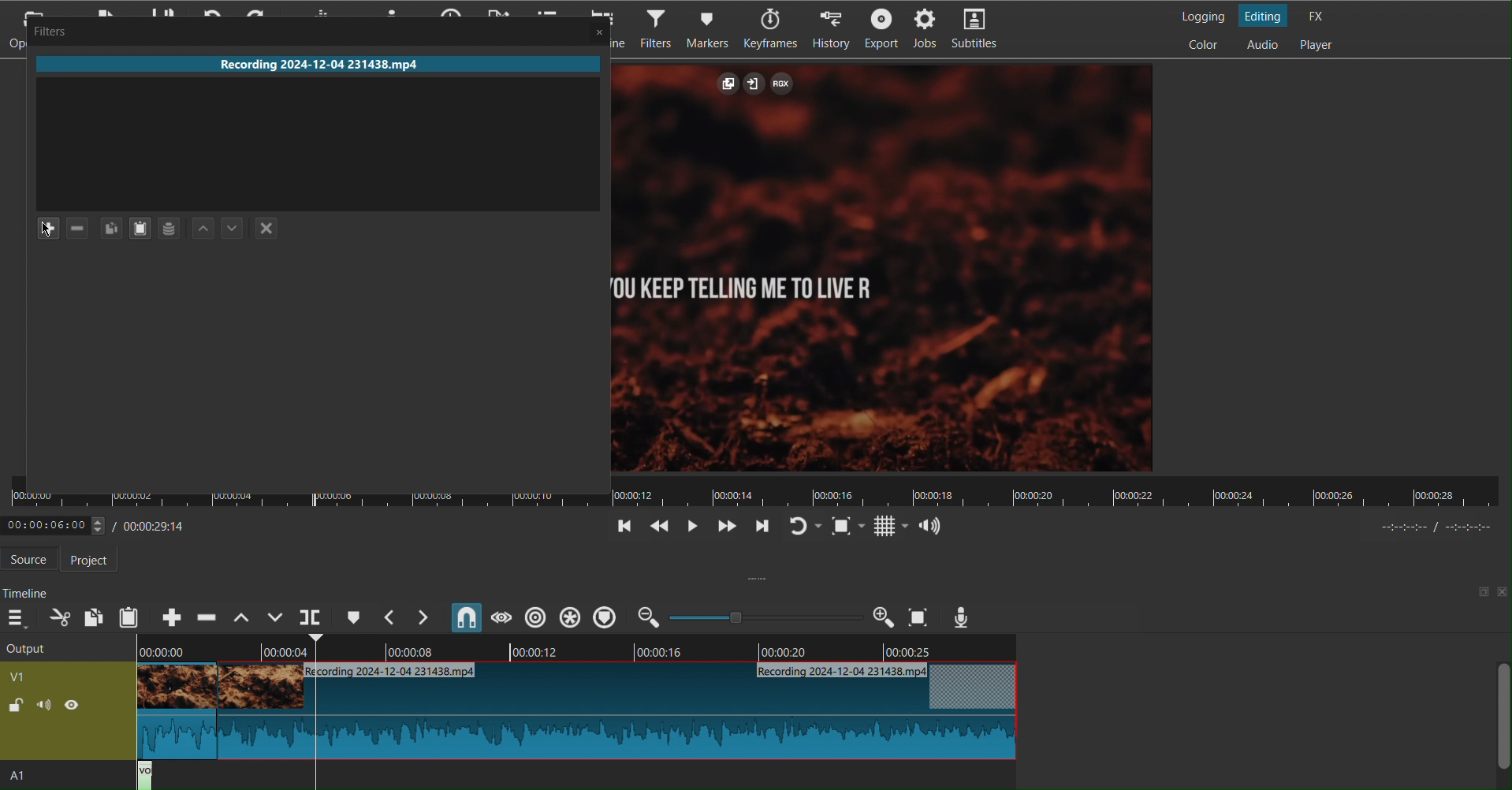 Image resolution: width=1512 pixels, height=790 pixels. What do you see at coordinates (1433, 528) in the screenshot?
I see `time` at bounding box center [1433, 528].